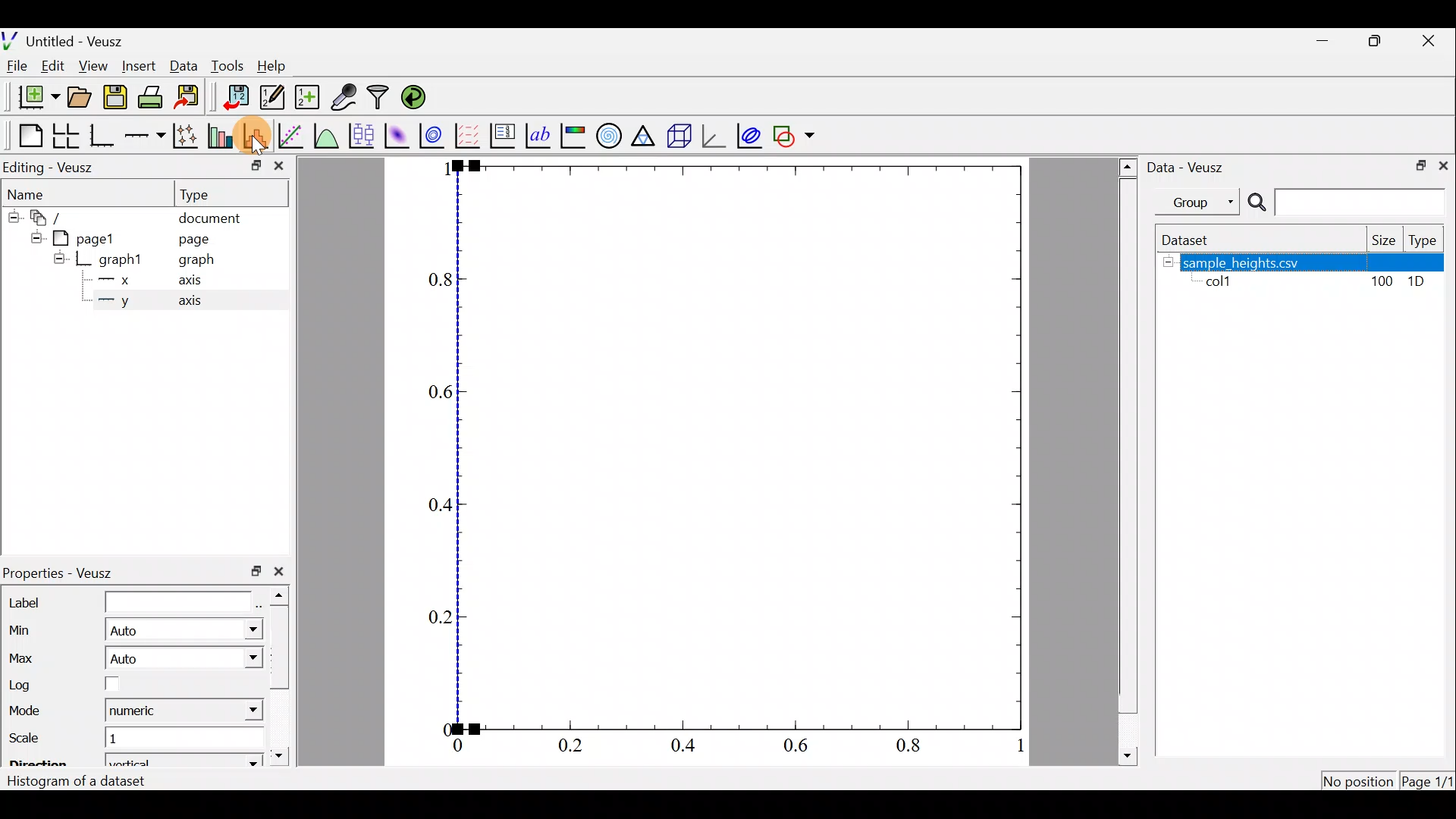 The width and height of the screenshot is (1456, 819). Describe the element at coordinates (715, 136) in the screenshot. I see `3d graph` at that location.